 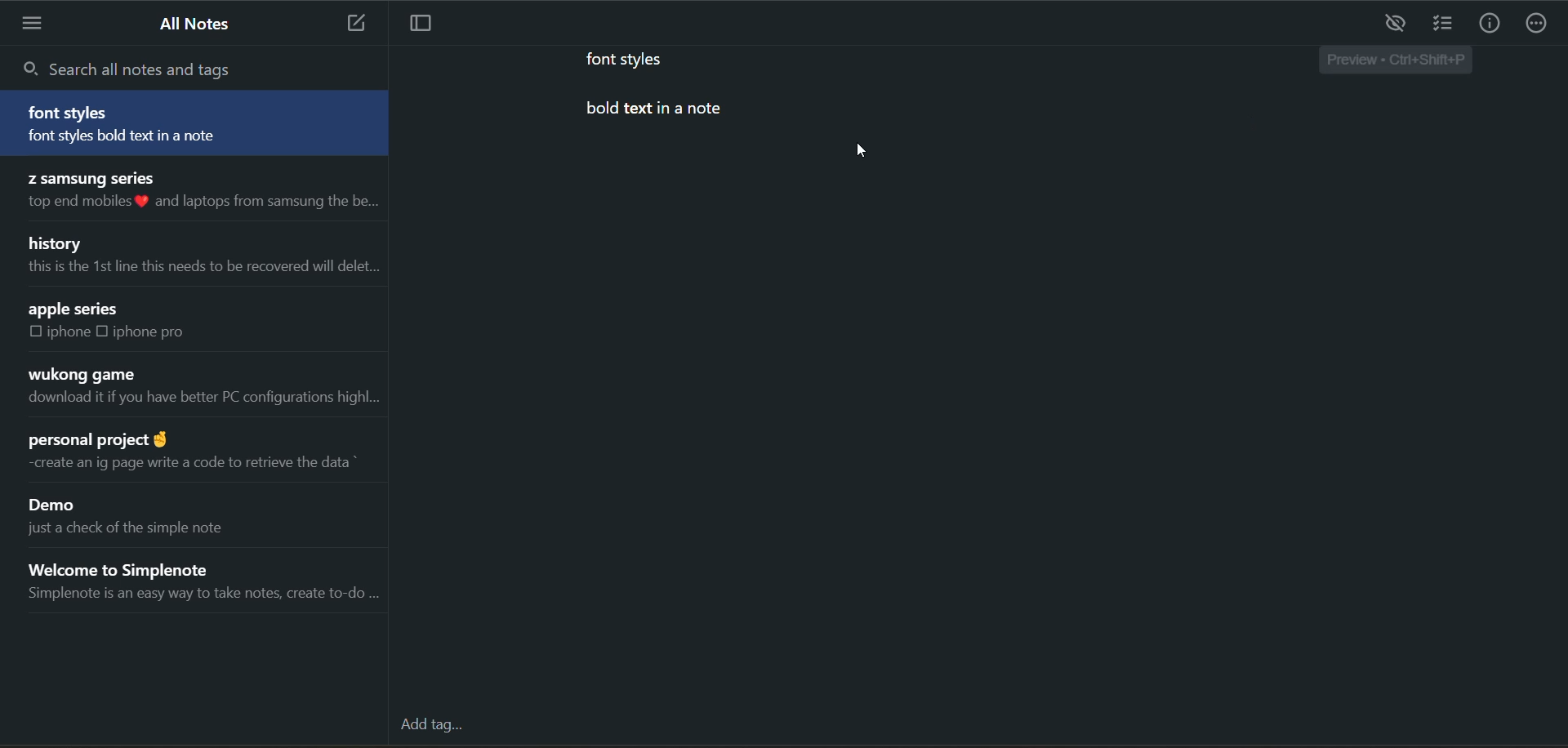 I want to click on checkbox, so click(x=36, y=332).